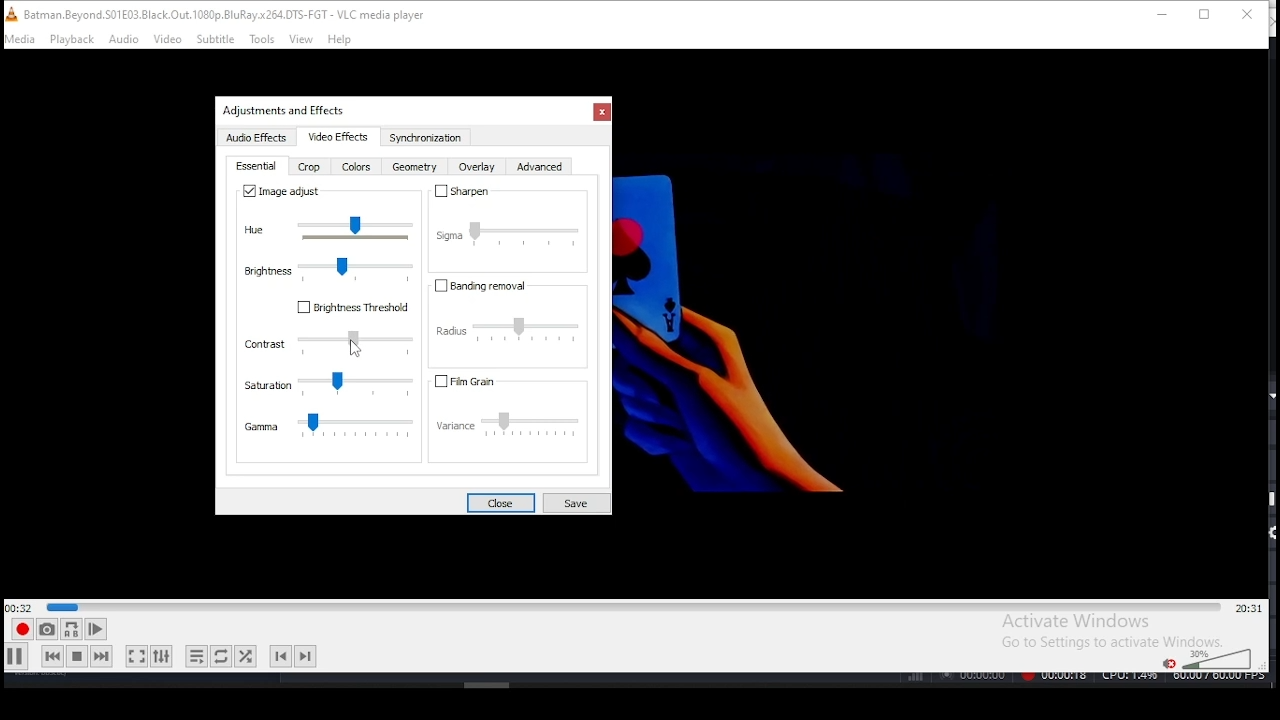 This screenshot has width=1280, height=720. Describe the element at coordinates (574, 502) in the screenshot. I see `save` at that location.